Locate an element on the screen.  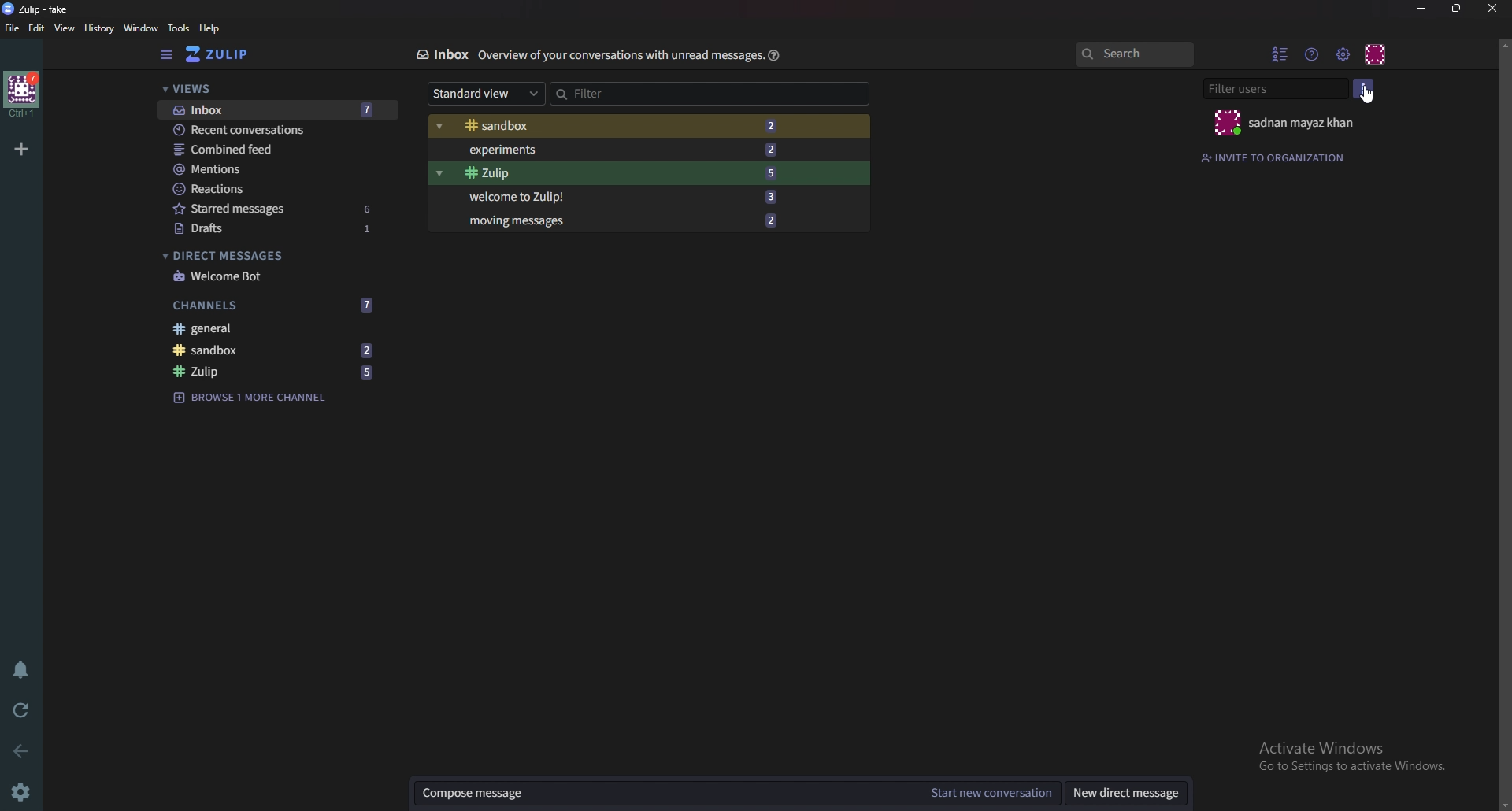
Filter is located at coordinates (672, 94).